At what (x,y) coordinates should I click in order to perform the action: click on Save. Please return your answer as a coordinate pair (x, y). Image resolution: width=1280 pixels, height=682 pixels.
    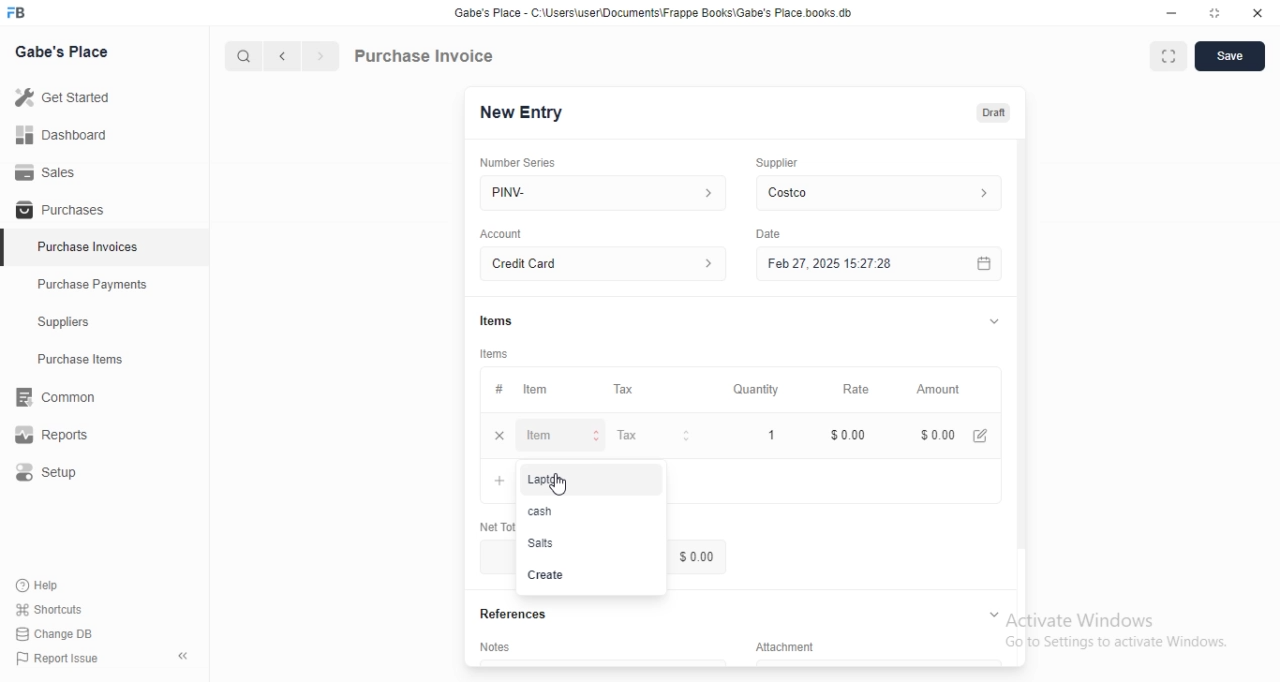
    Looking at the image, I should click on (1230, 56).